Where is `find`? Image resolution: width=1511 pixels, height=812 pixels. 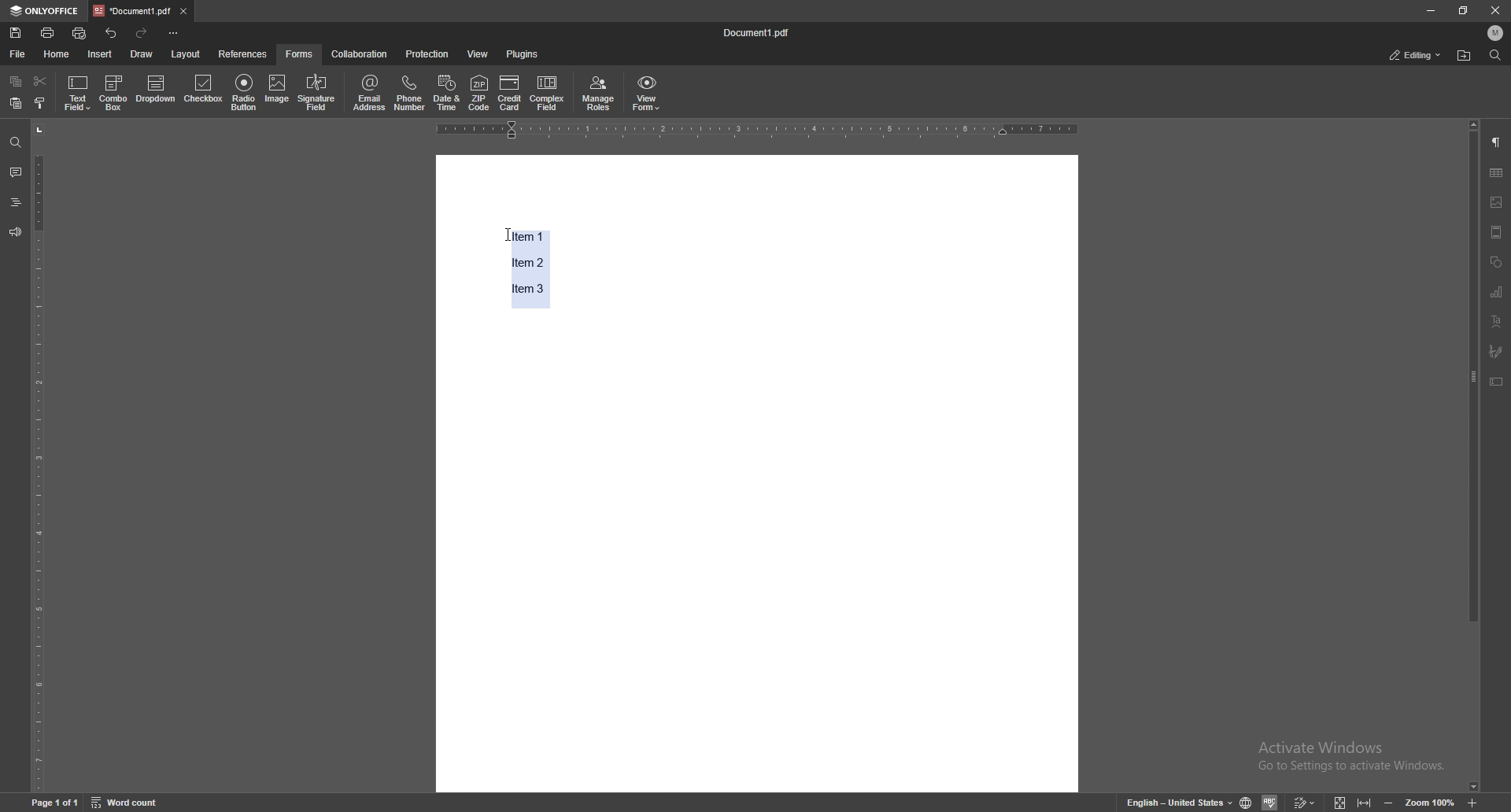
find is located at coordinates (1495, 55).